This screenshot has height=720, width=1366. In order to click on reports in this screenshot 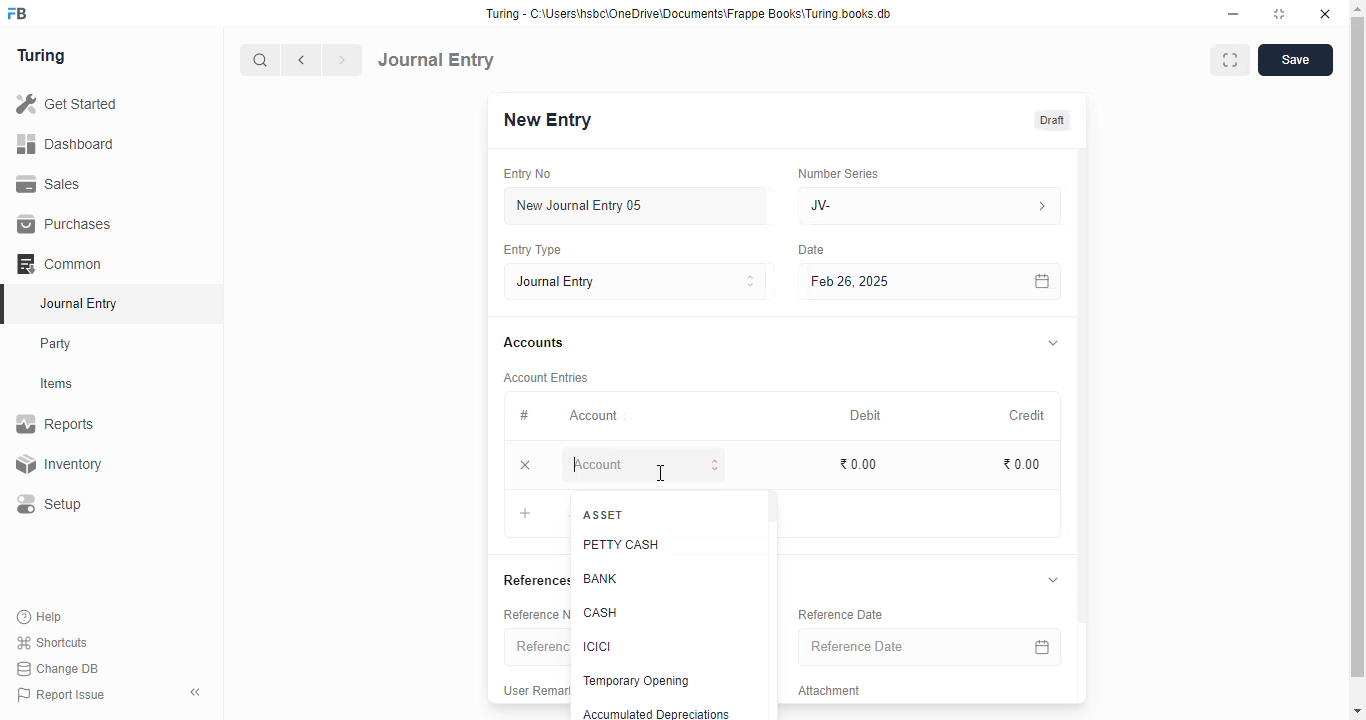, I will do `click(56, 424)`.